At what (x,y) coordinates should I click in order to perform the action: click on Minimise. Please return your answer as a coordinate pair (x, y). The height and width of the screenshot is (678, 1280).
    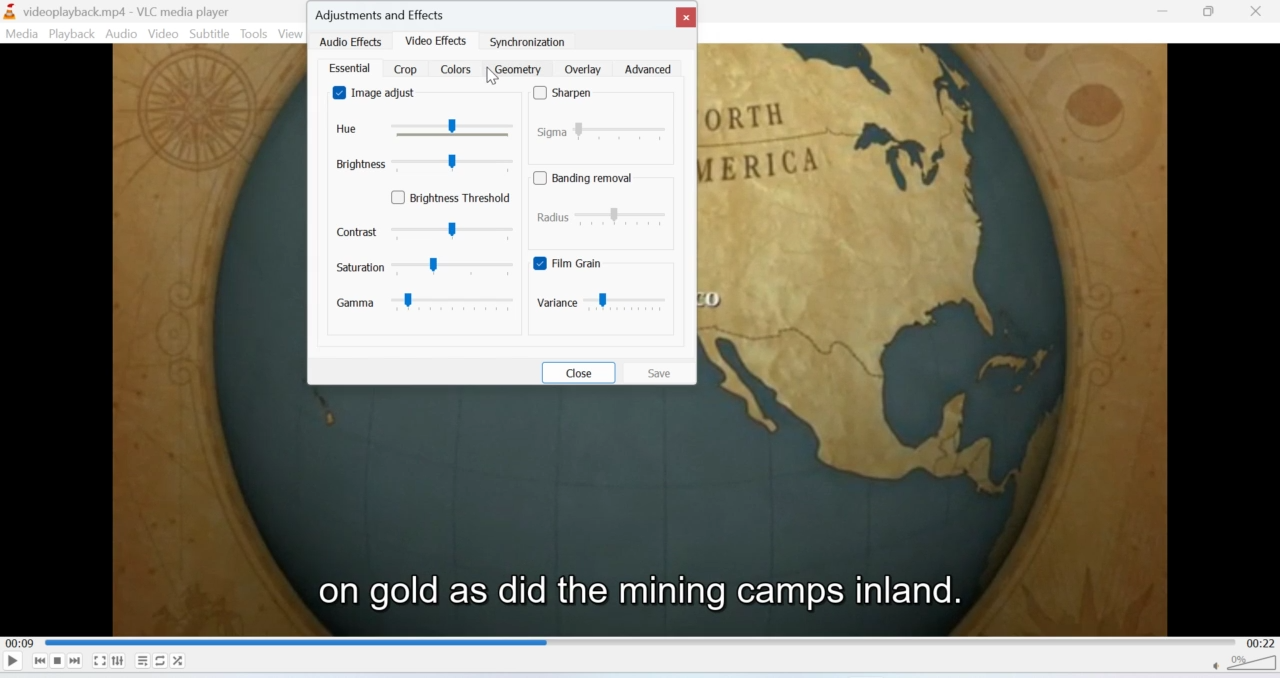
    Looking at the image, I should click on (1166, 10).